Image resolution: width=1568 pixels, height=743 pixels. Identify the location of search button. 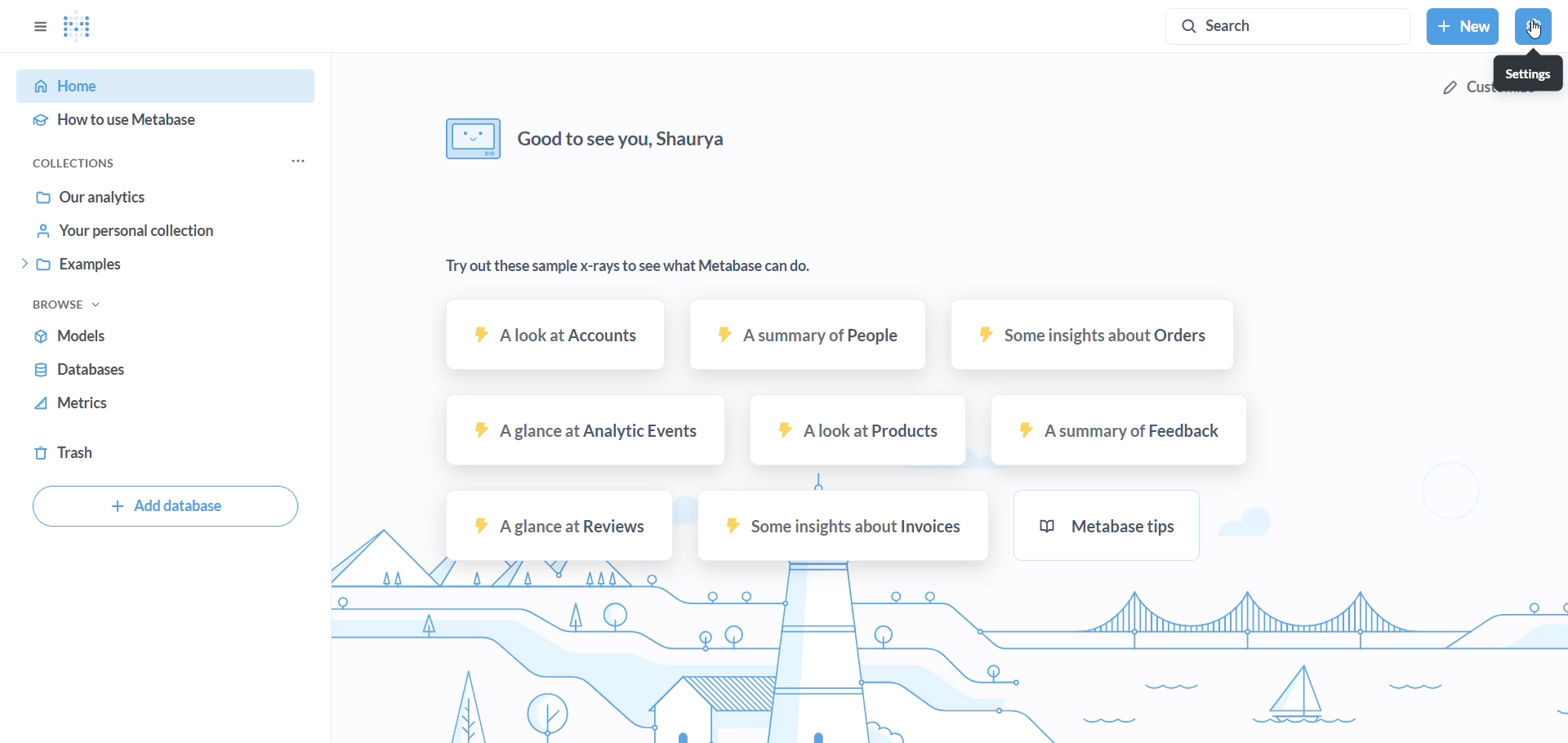
(1292, 26).